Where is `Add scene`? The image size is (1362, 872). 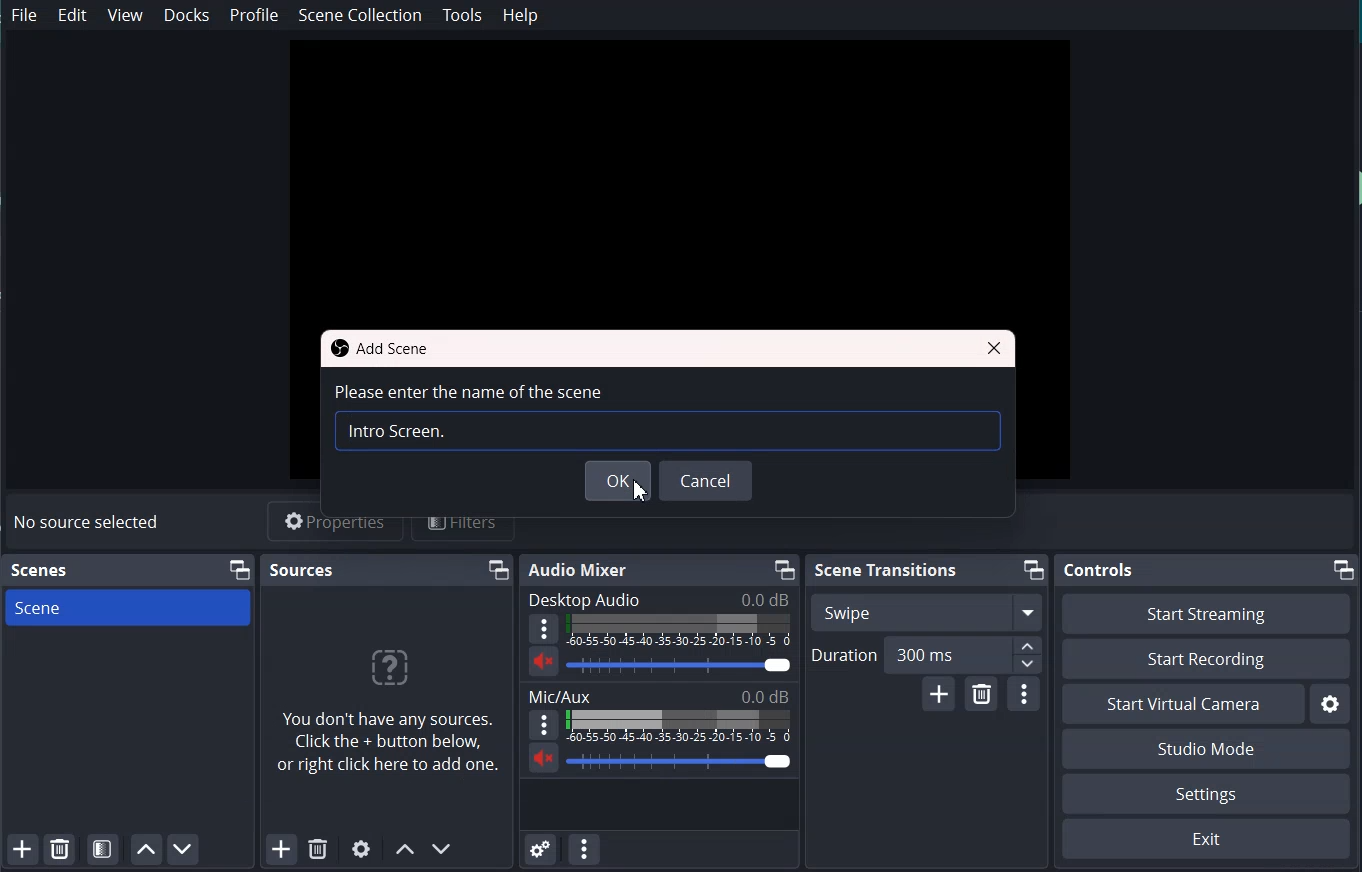
Add scene is located at coordinates (21, 849).